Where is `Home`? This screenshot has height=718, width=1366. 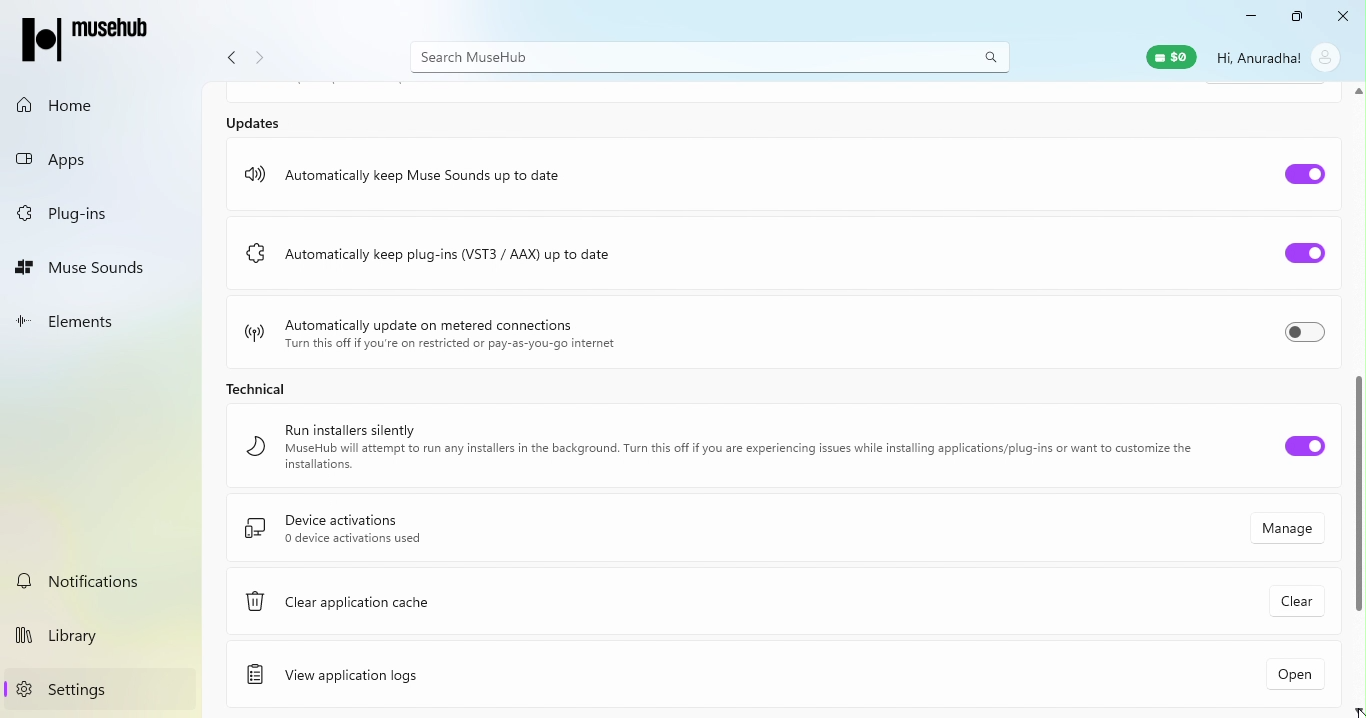
Home is located at coordinates (90, 104).